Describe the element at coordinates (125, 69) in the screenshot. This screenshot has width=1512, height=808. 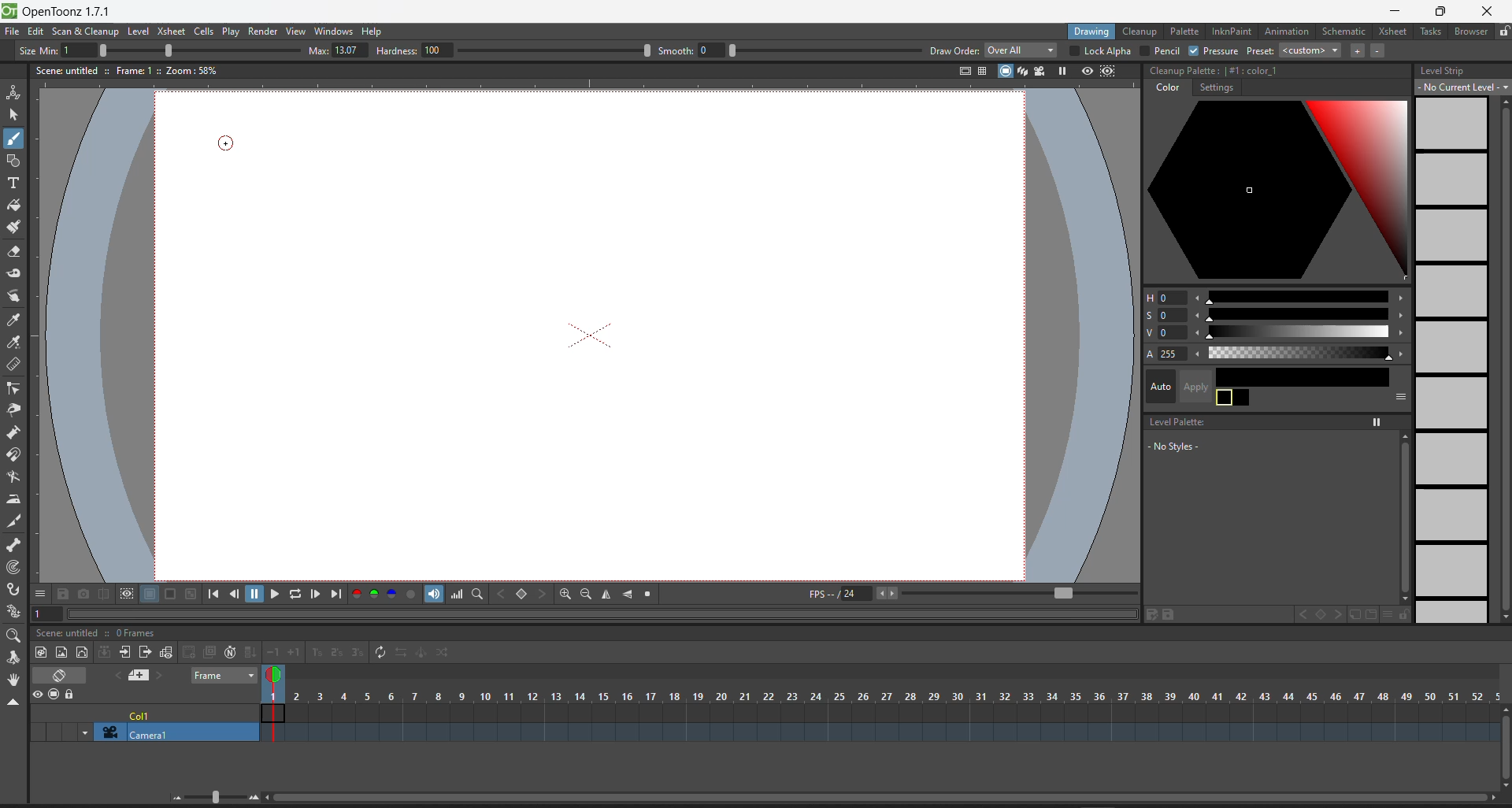
I see `metadata` at that location.